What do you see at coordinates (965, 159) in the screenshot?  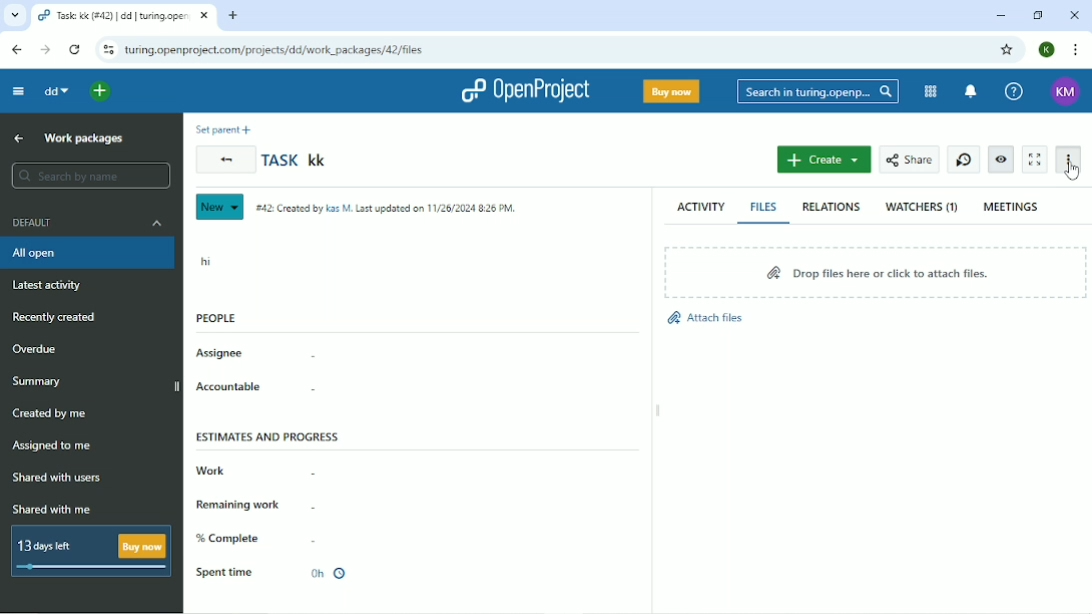 I see `Start new timer` at bounding box center [965, 159].